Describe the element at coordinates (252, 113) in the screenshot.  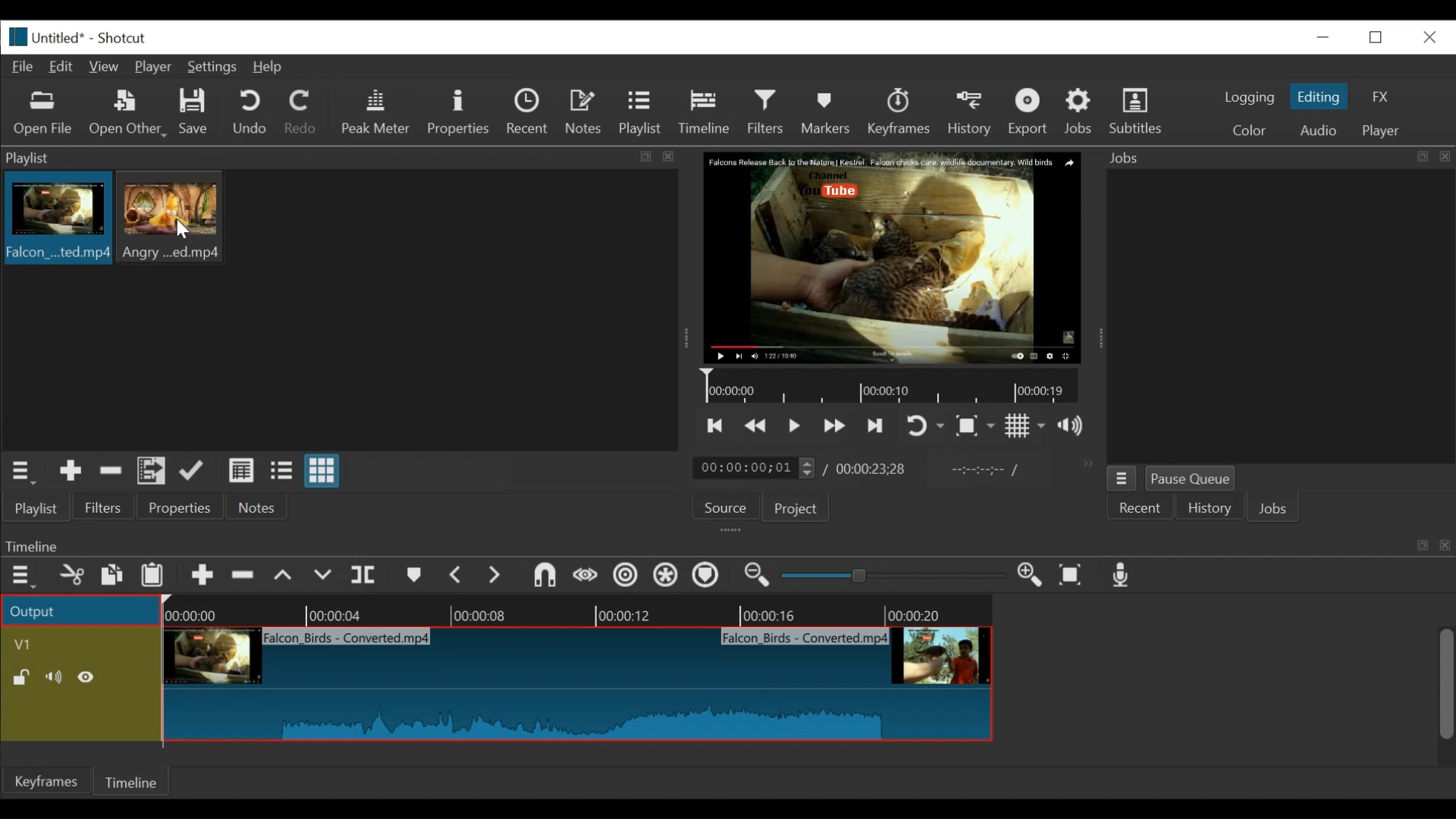
I see `Undo` at that location.